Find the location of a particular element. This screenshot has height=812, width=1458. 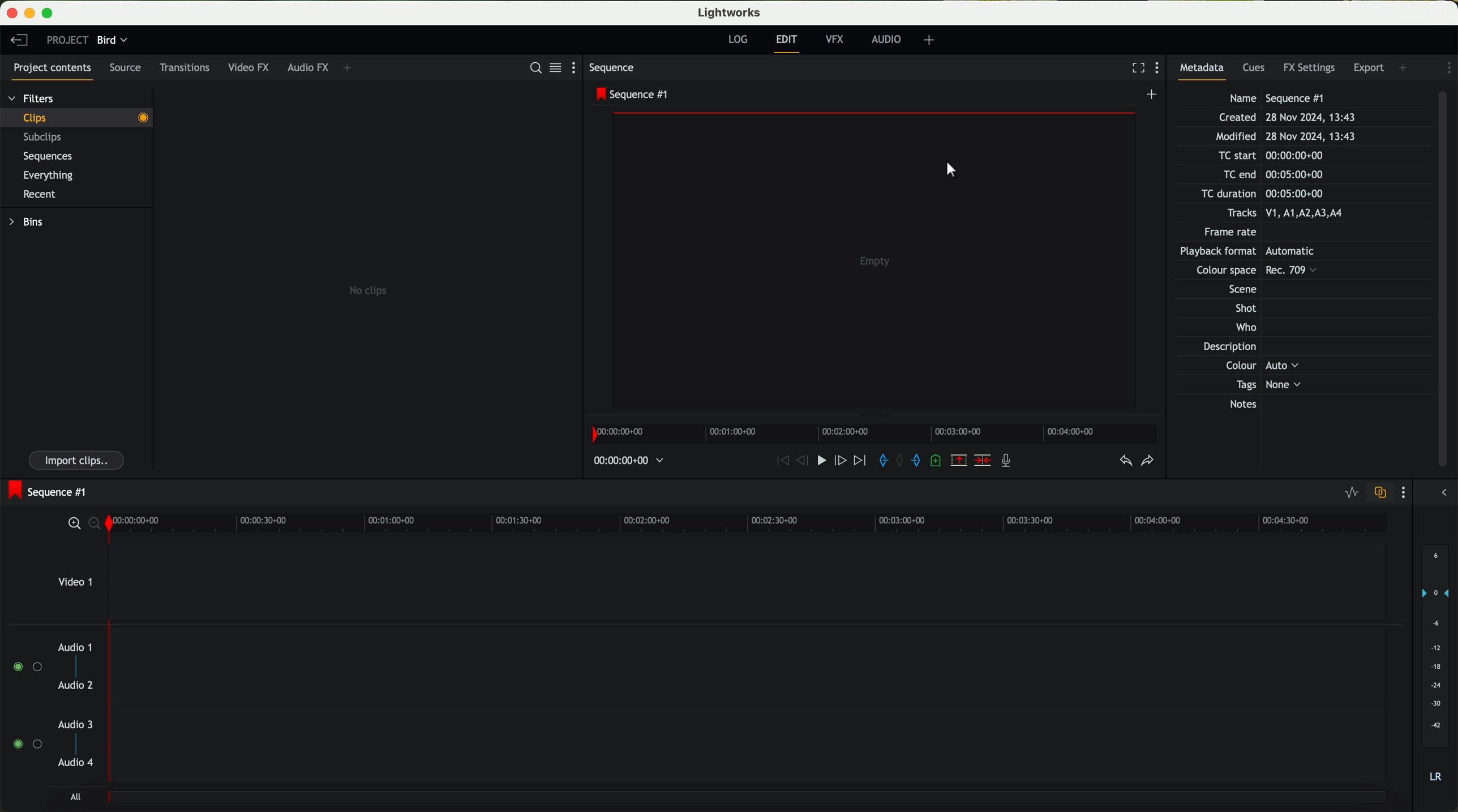

play is located at coordinates (825, 462).